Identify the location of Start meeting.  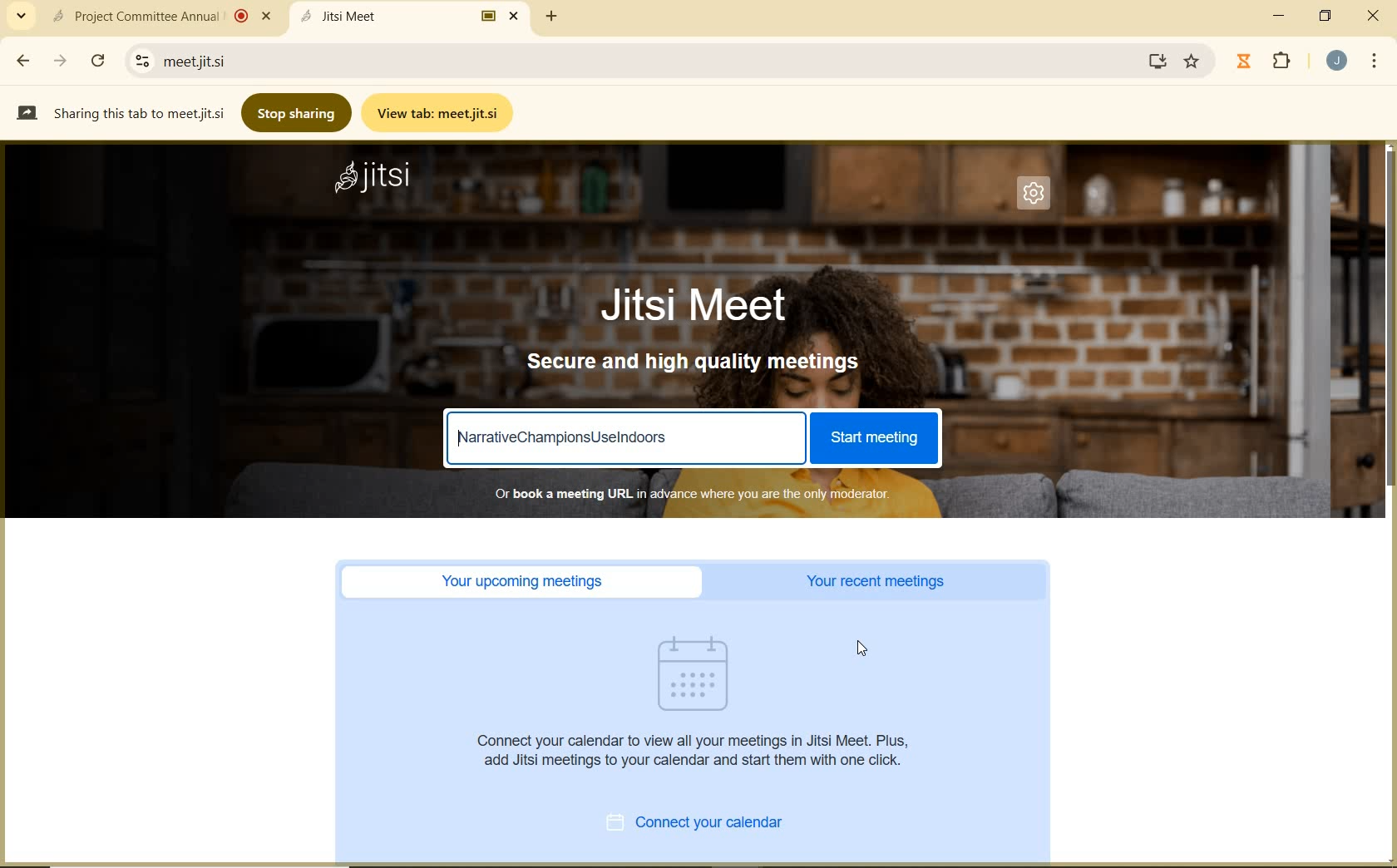
(872, 438).